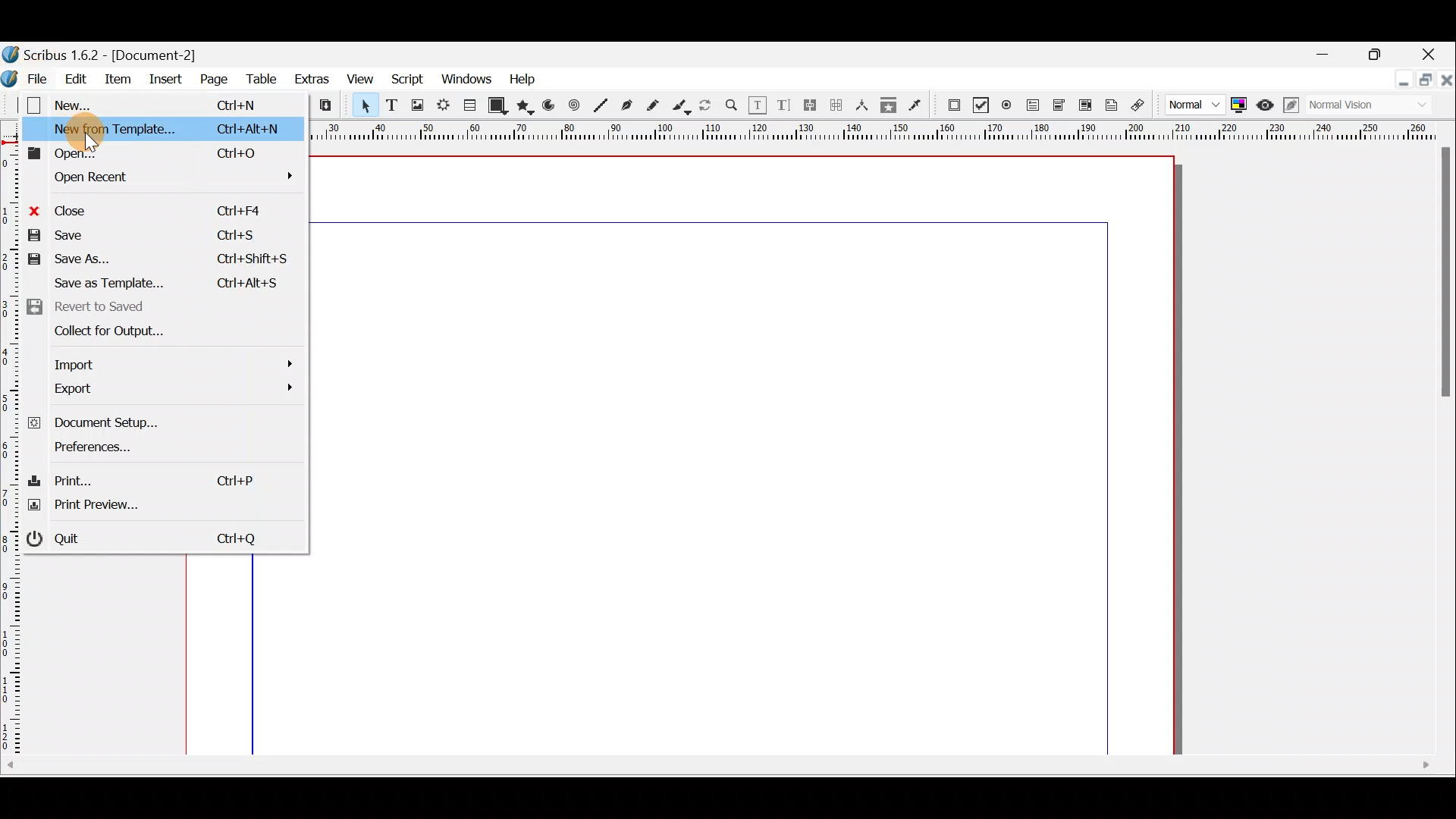  What do you see at coordinates (265, 78) in the screenshot?
I see `Table` at bounding box center [265, 78].